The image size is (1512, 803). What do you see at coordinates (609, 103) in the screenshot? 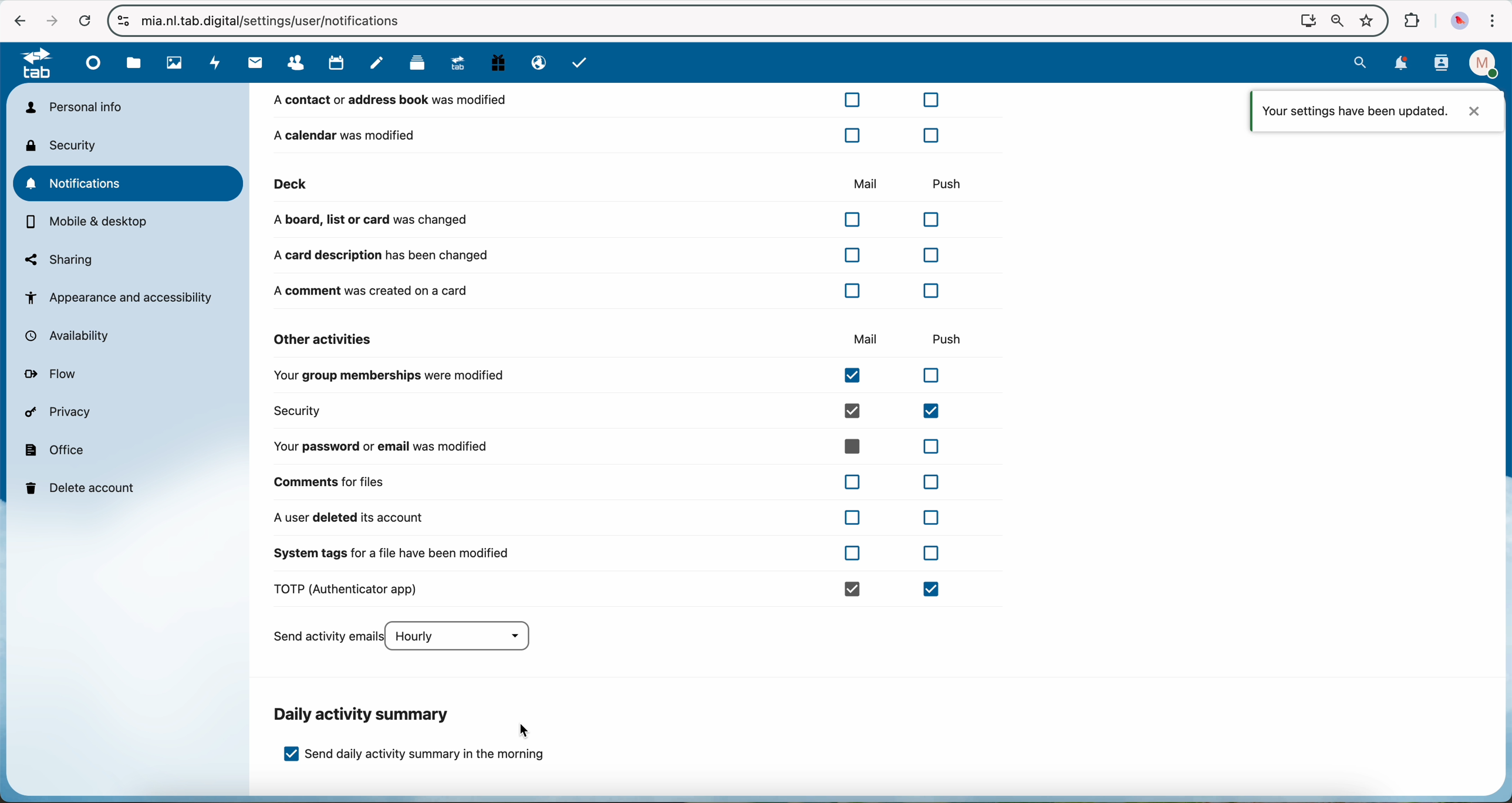
I see `a contact or address book was modified` at bounding box center [609, 103].